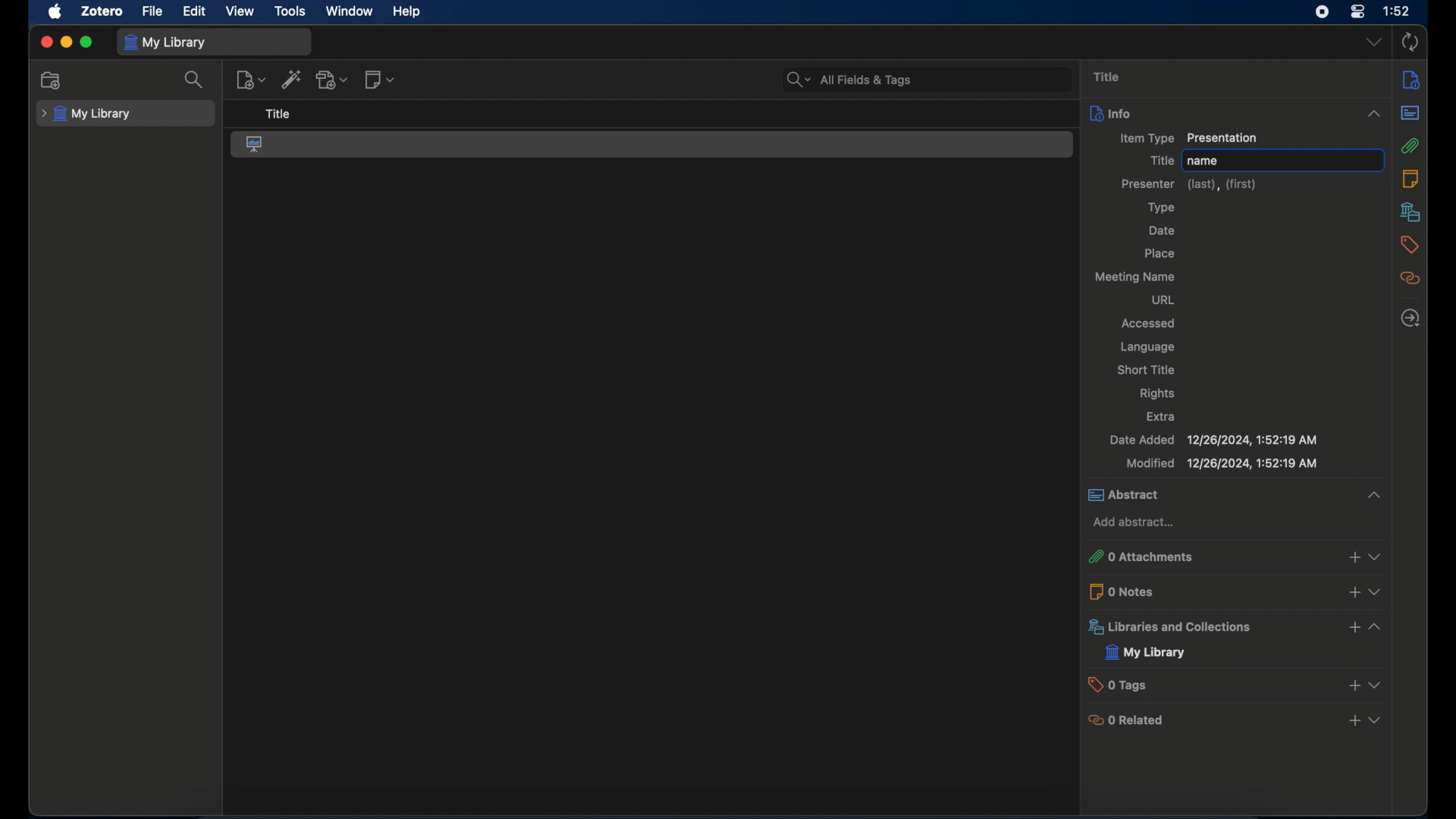 Image resolution: width=1456 pixels, height=819 pixels. Describe the element at coordinates (1357, 12) in the screenshot. I see `control center` at that location.